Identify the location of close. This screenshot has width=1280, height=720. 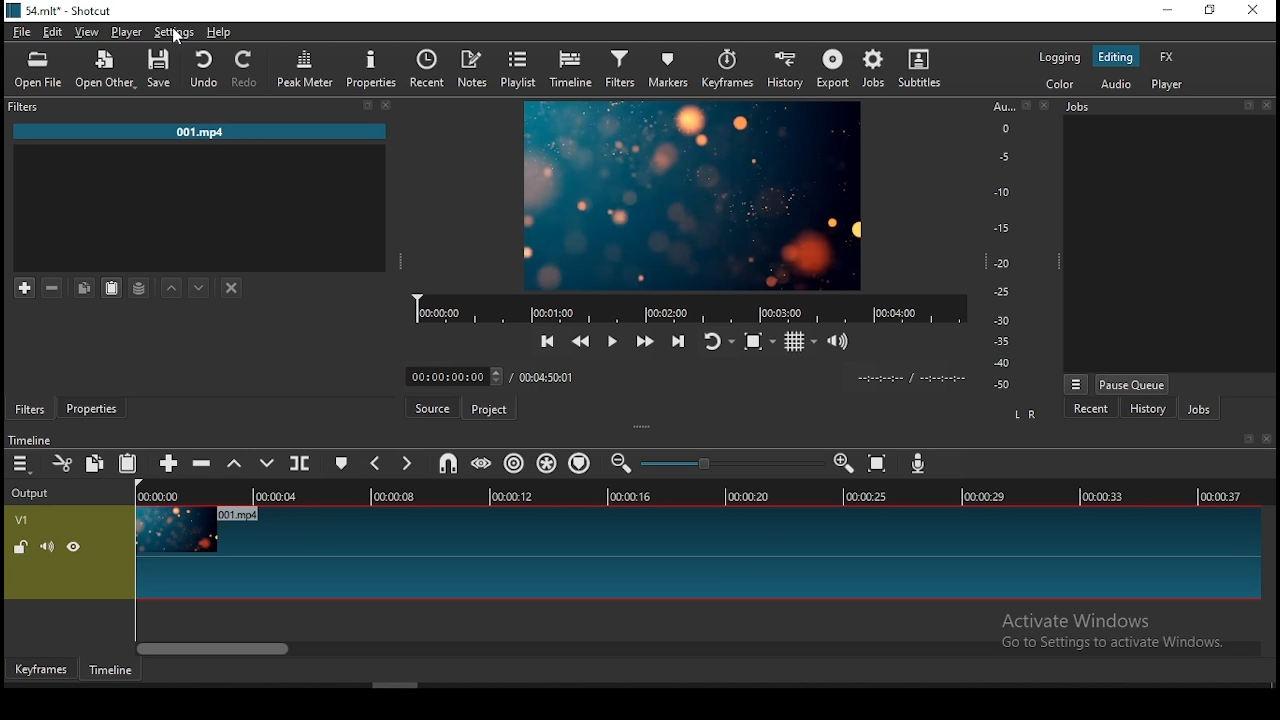
(1047, 105).